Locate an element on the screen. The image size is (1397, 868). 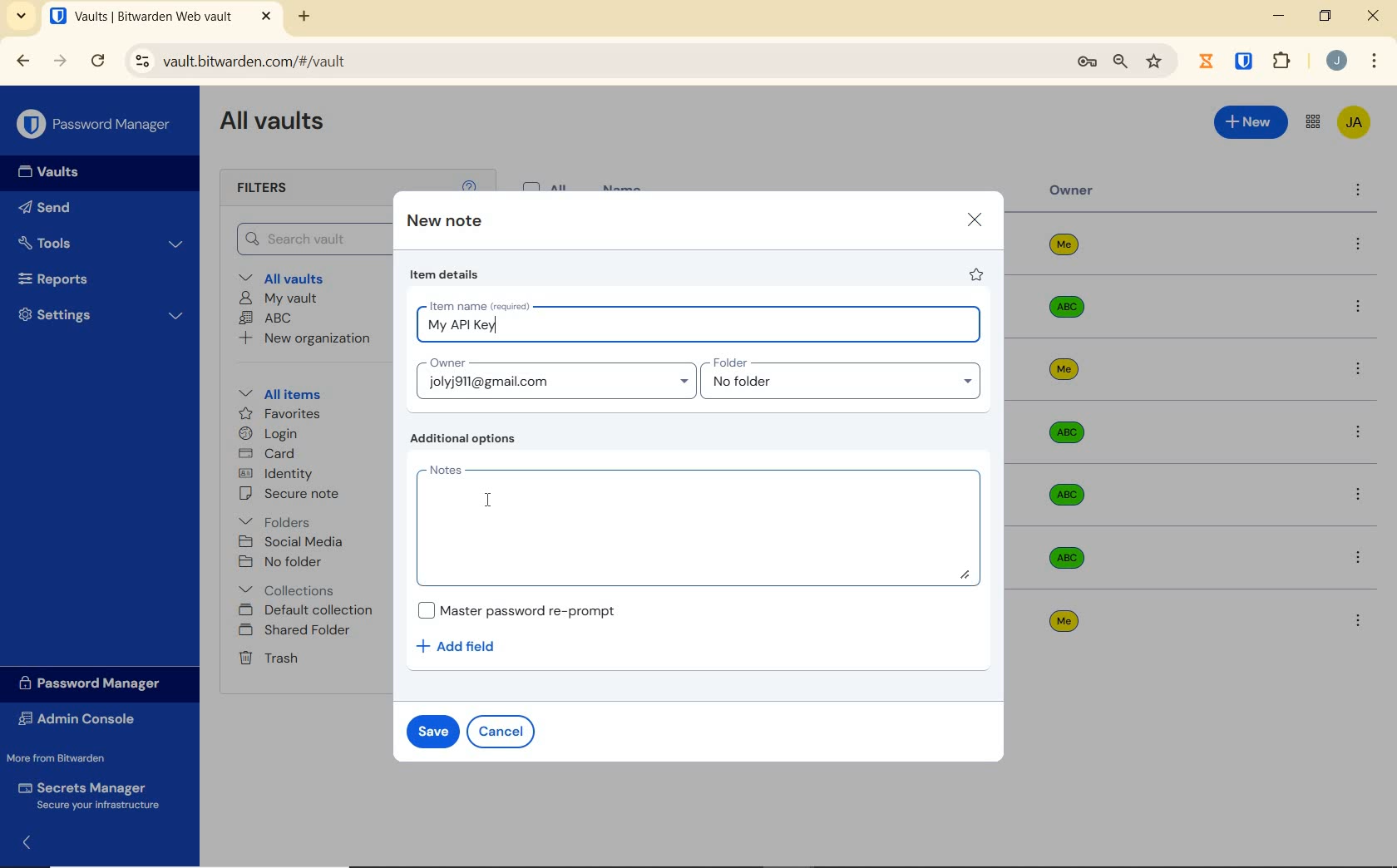
typed item name is located at coordinates (462, 326).